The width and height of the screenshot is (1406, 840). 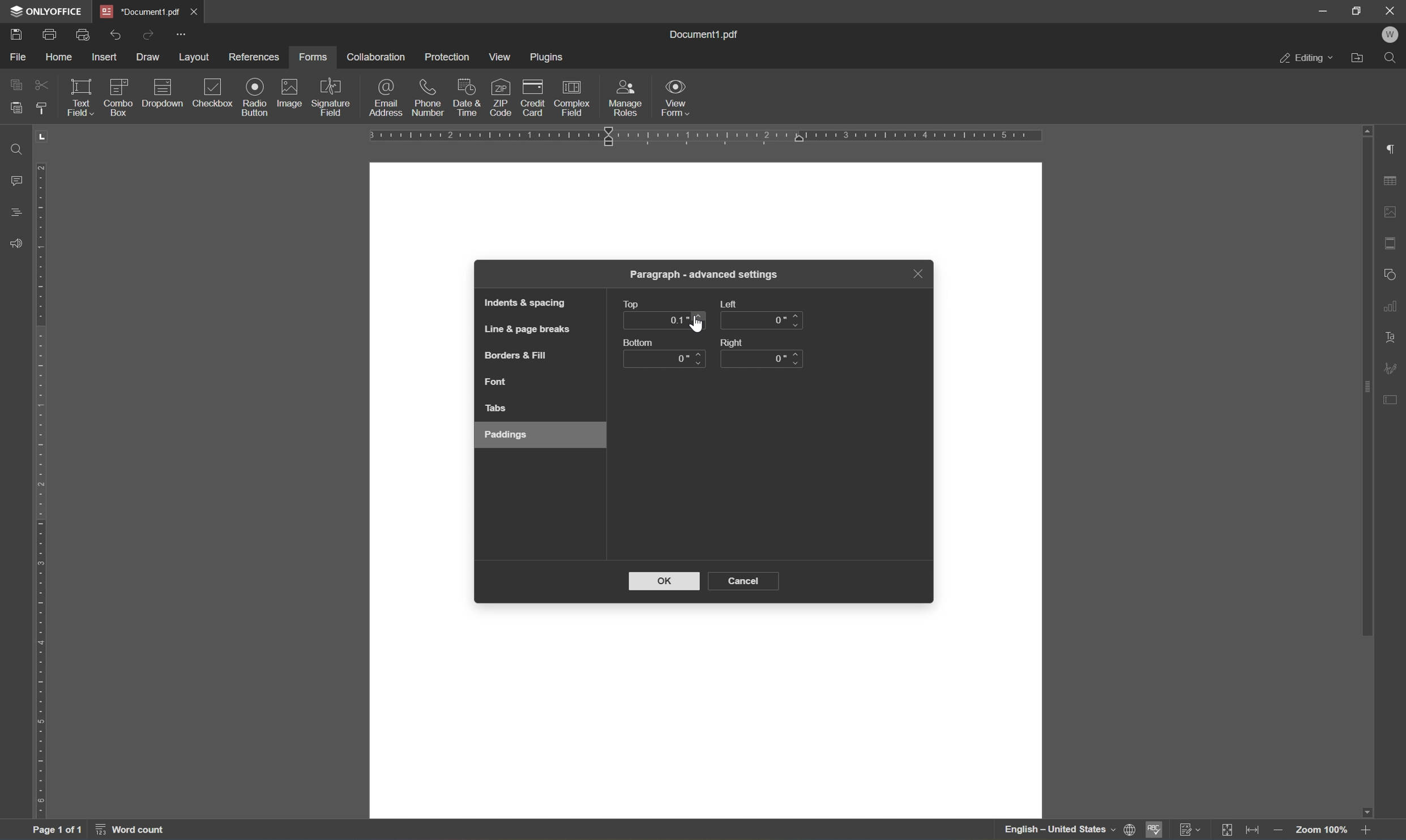 I want to click on paddings, so click(x=508, y=434).